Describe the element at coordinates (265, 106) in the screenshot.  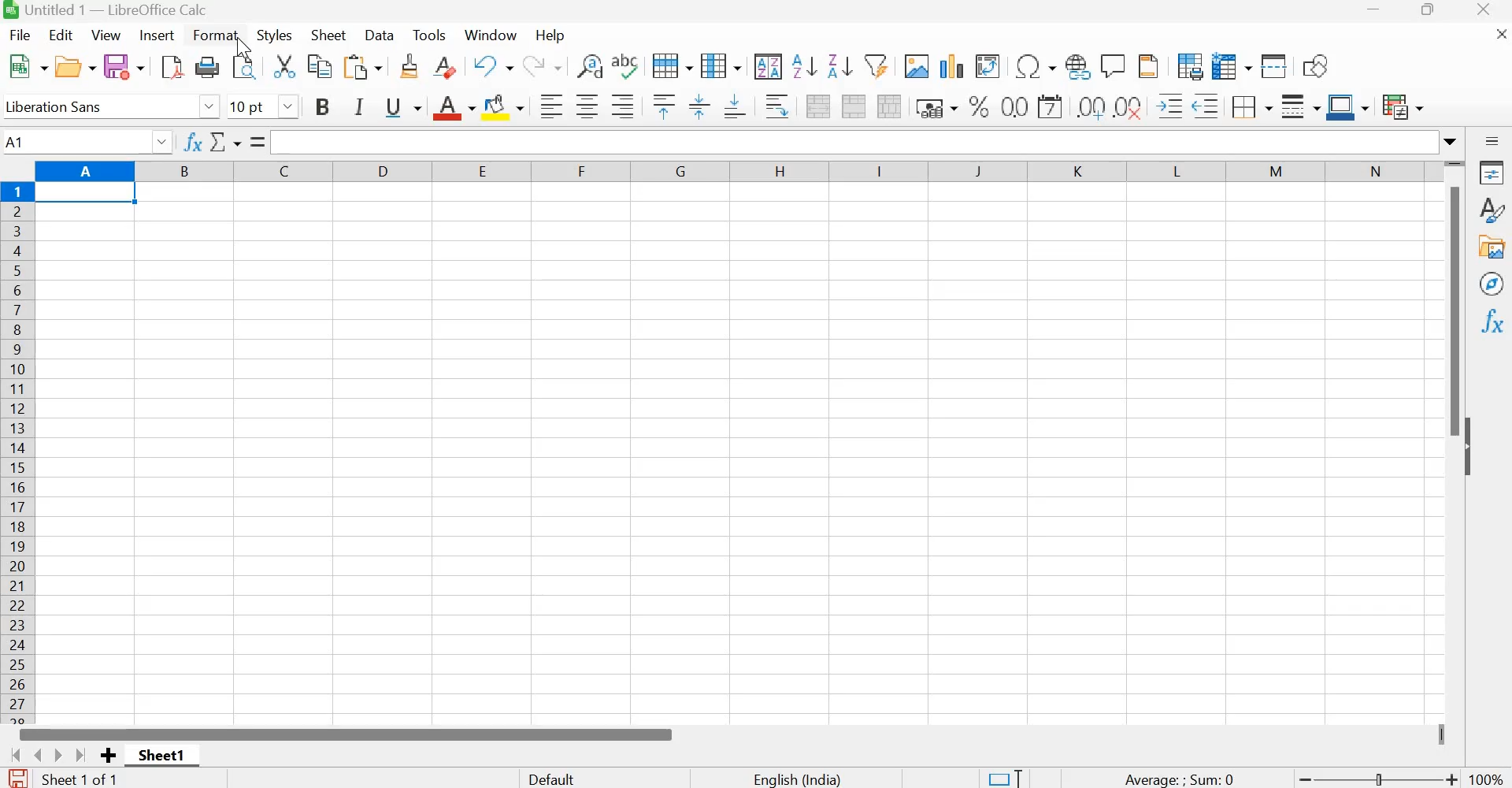
I see `10 pt` at that location.